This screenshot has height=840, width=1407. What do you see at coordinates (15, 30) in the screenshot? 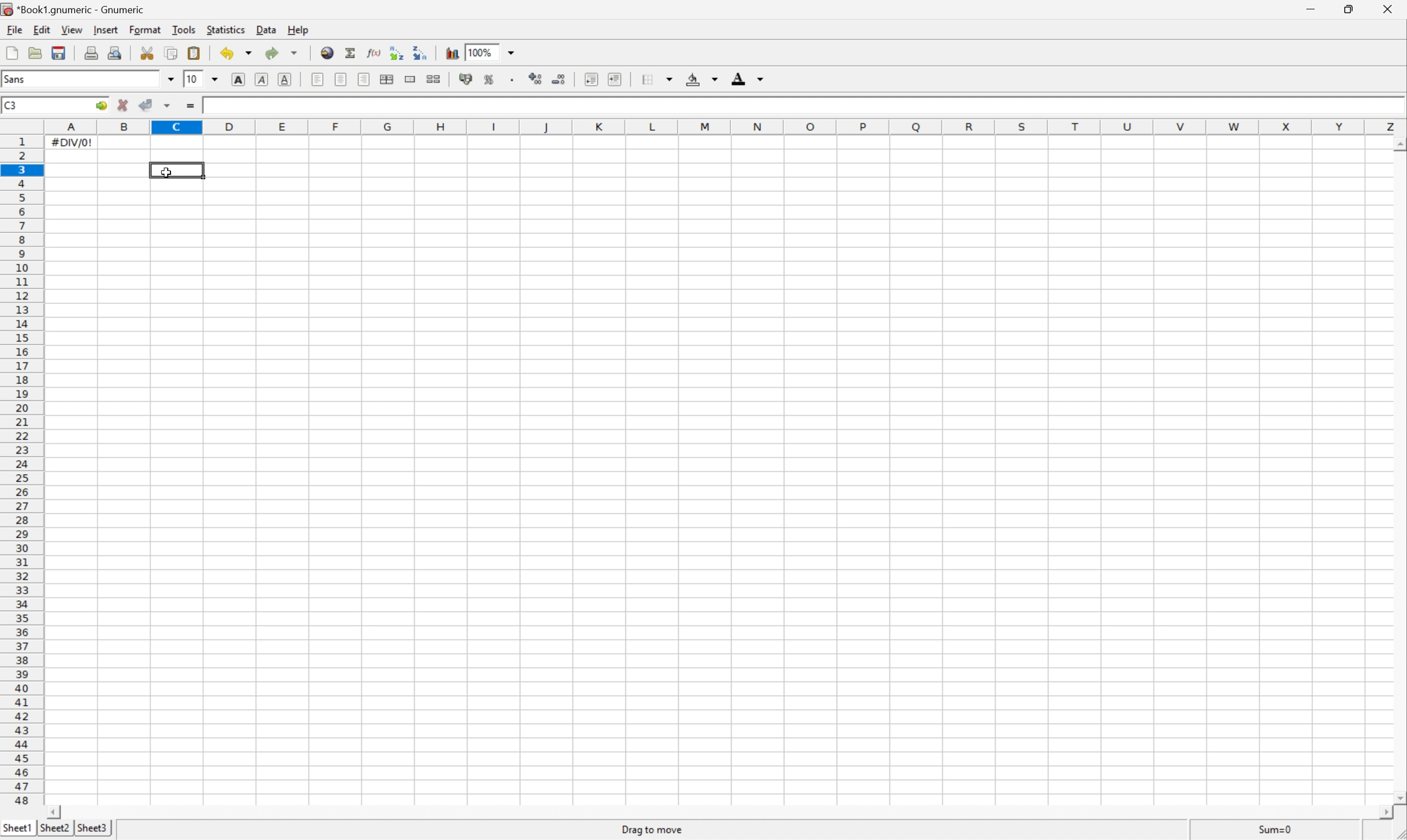
I see `File` at bounding box center [15, 30].